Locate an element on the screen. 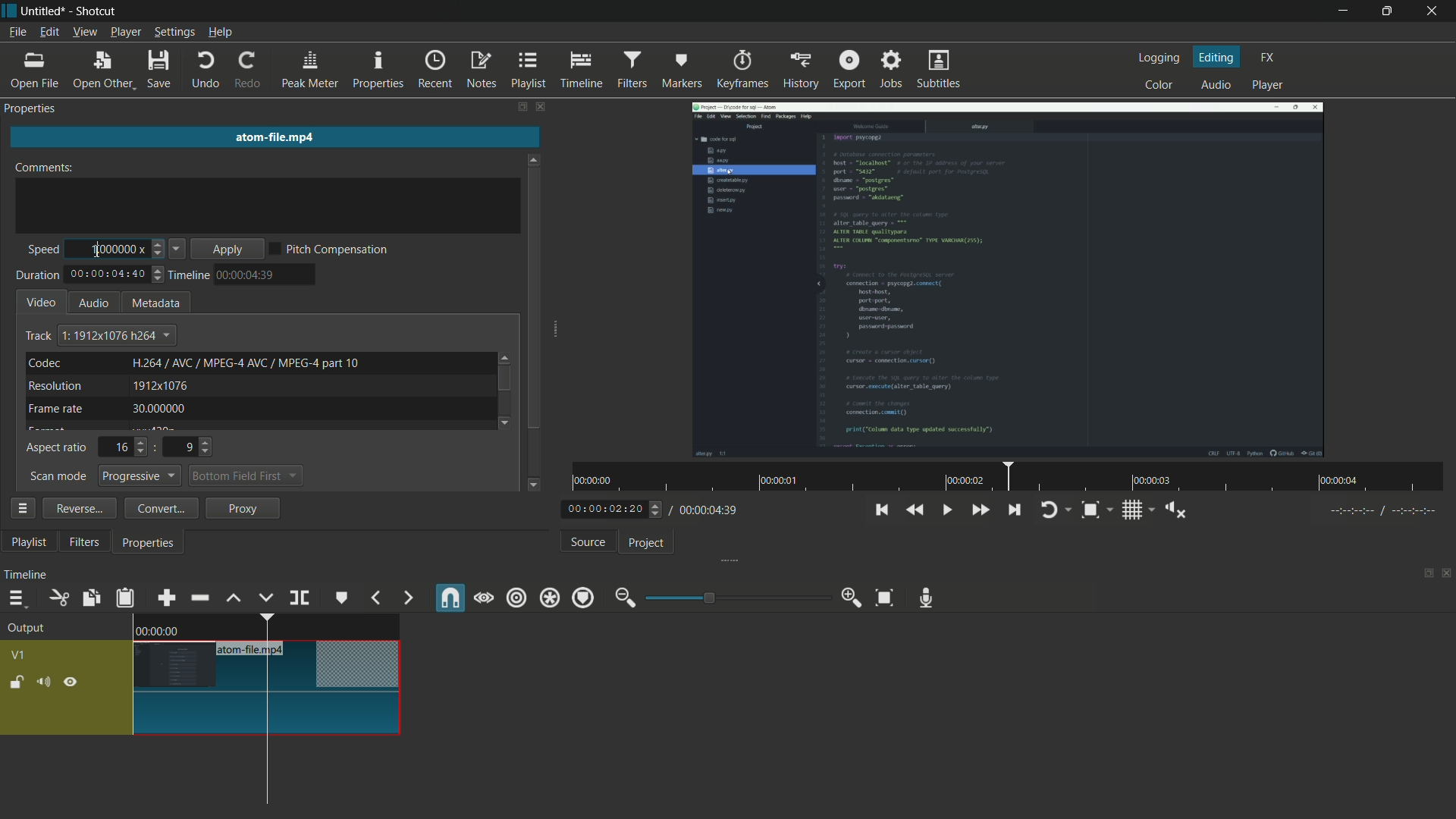  show volume control is located at coordinates (1171, 510).